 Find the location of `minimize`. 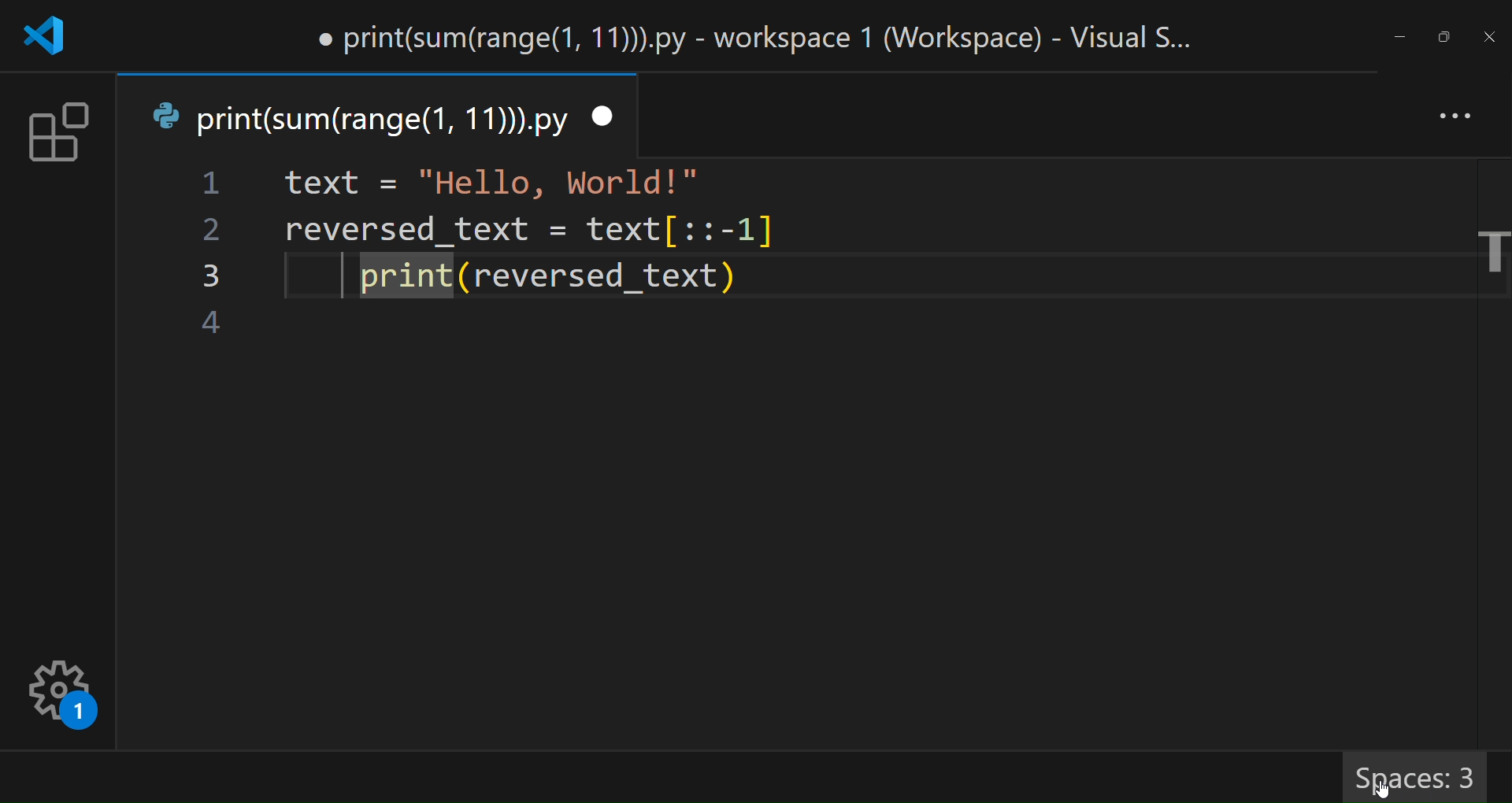

minimize is located at coordinates (1398, 37).